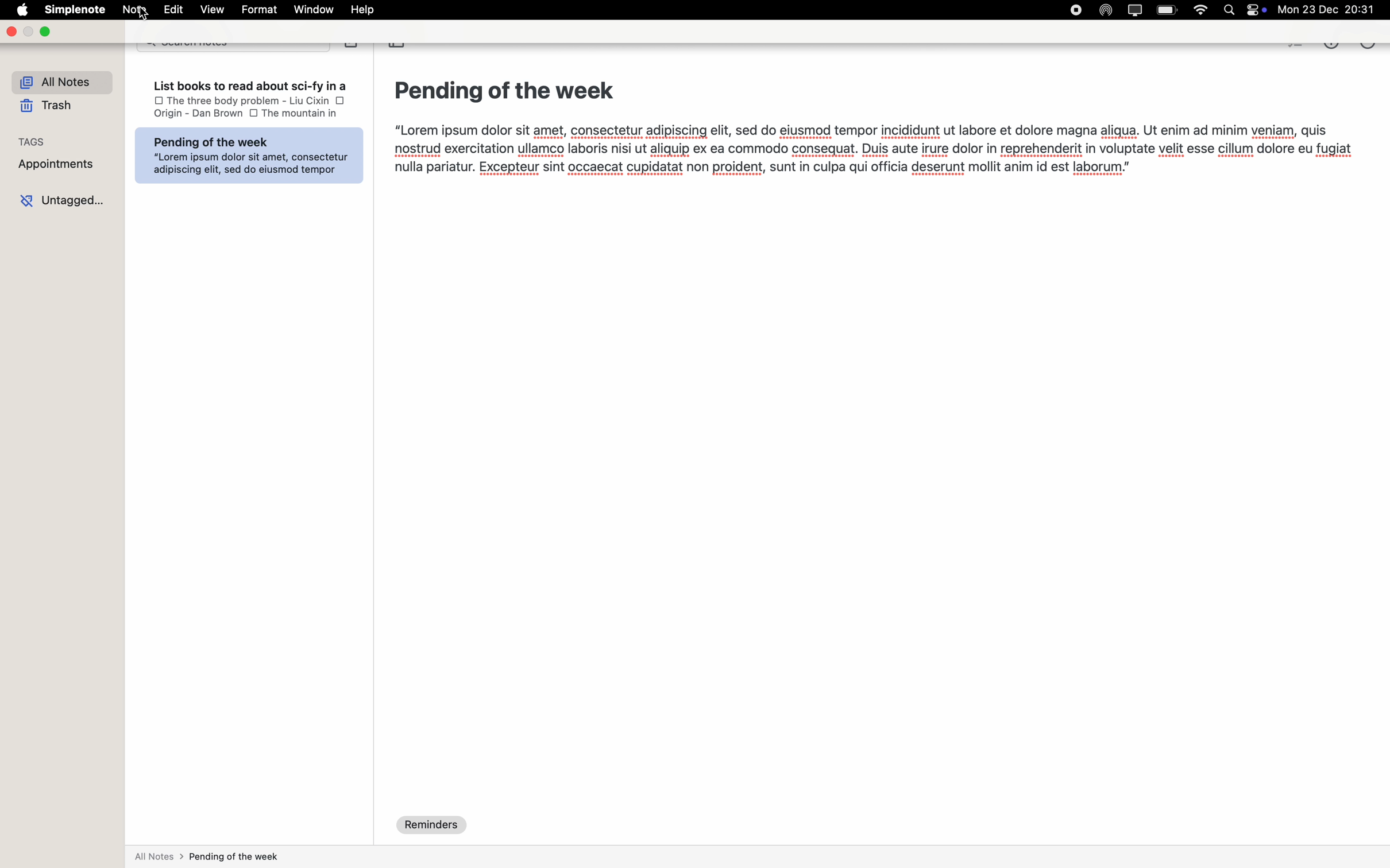  What do you see at coordinates (1168, 10) in the screenshot?
I see `battery` at bounding box center [1168, 10].